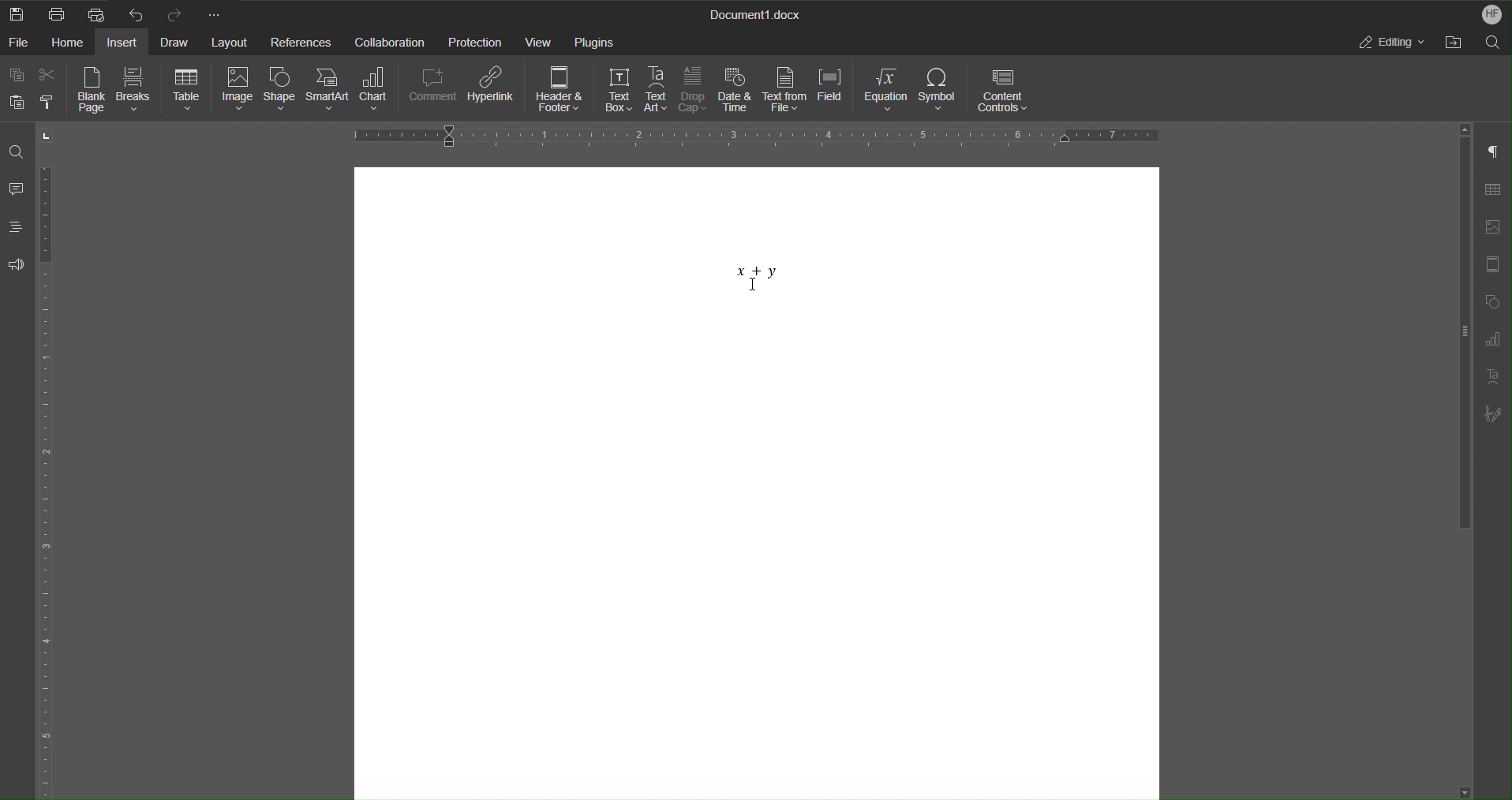 This screenshot has width=1512, height=800. I want to click on Hyperlink, so click(495, 91).